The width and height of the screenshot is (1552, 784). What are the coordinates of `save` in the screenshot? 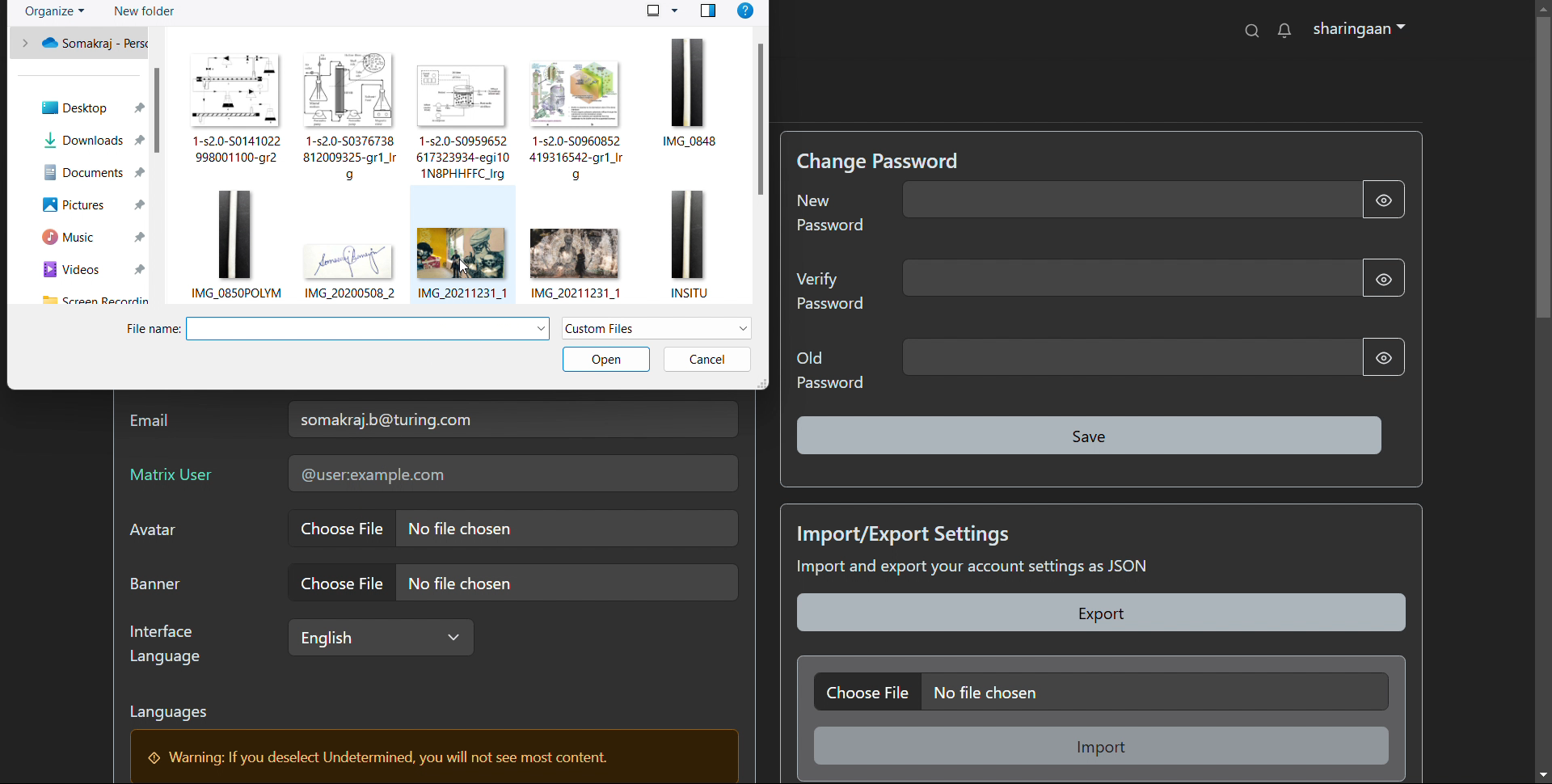 It's located at (1091, 436).